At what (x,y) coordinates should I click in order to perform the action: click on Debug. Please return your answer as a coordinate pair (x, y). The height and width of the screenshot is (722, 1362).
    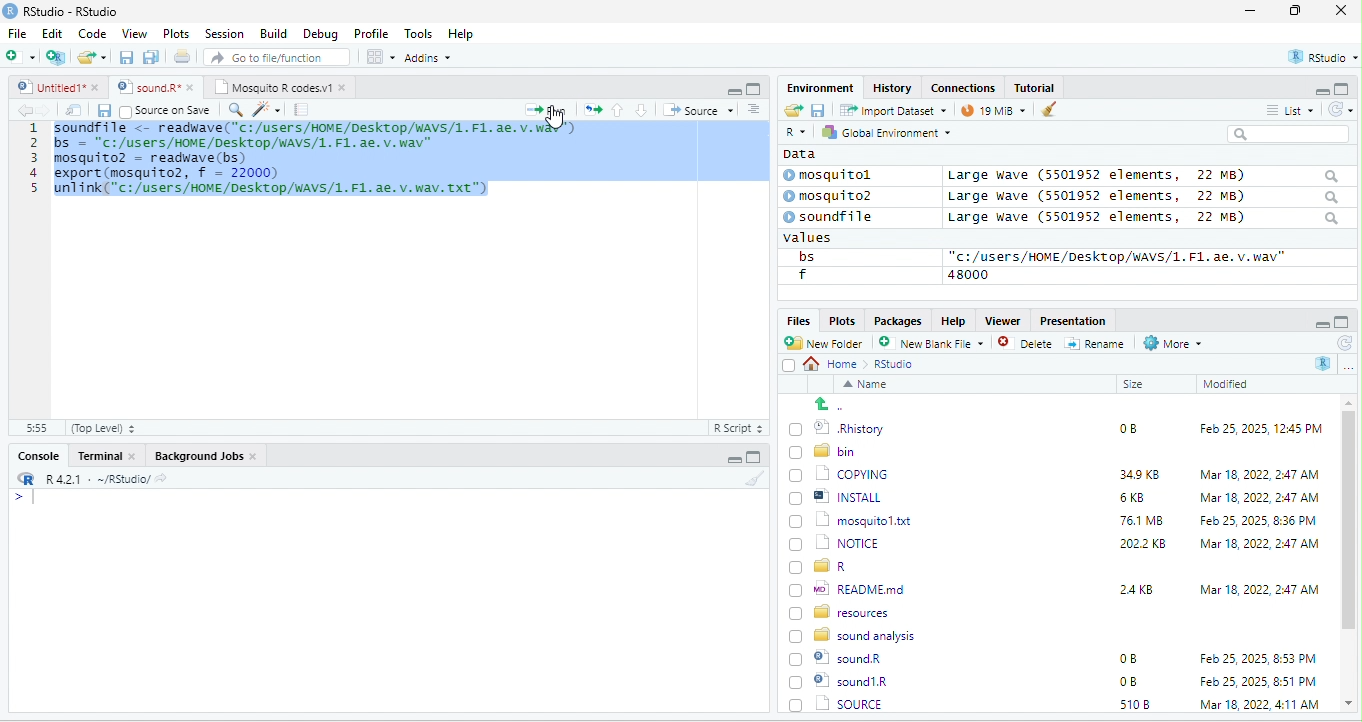
    Looking at the image, I should click on (320, 33).